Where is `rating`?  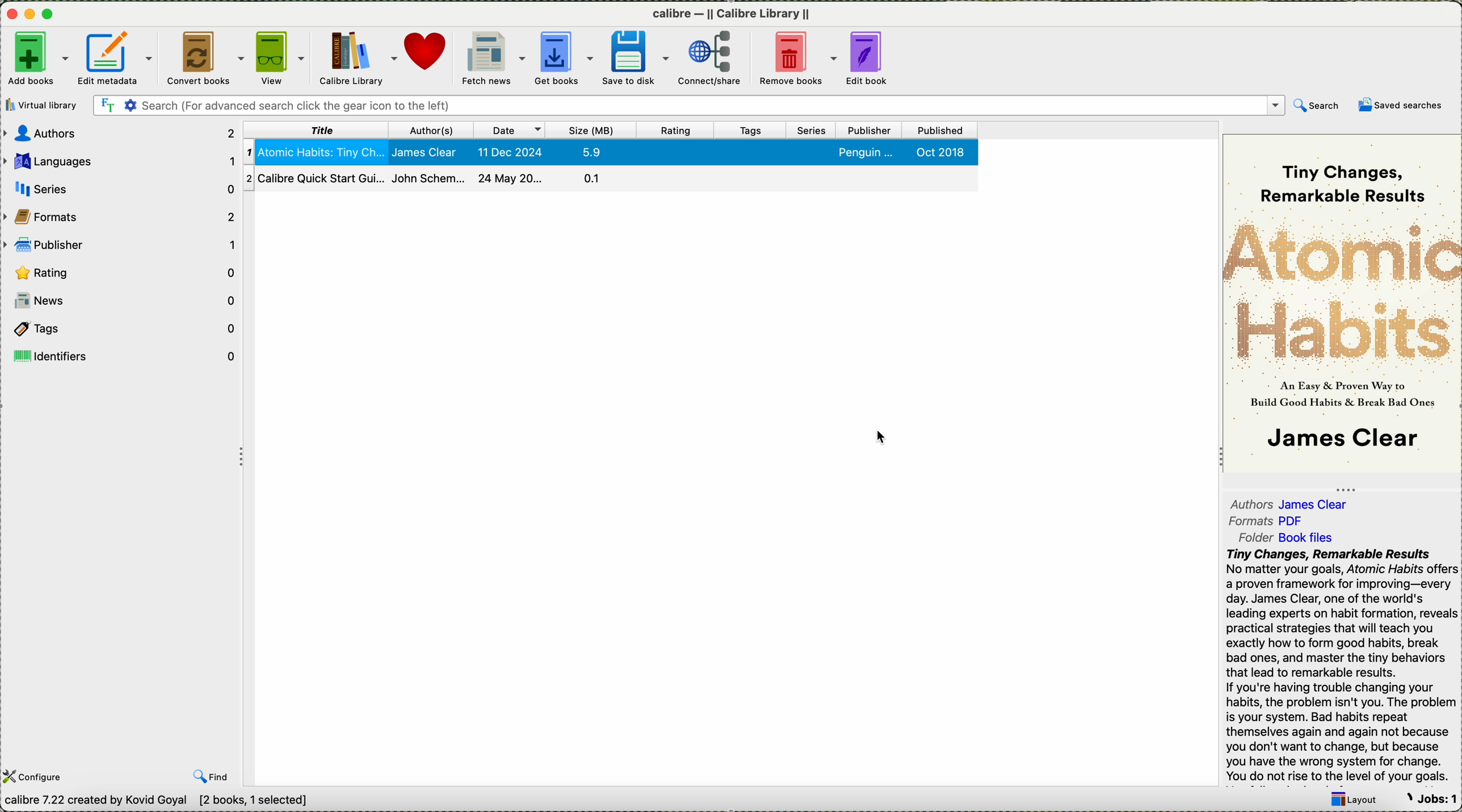
rating is located at coordinates (676, 129).